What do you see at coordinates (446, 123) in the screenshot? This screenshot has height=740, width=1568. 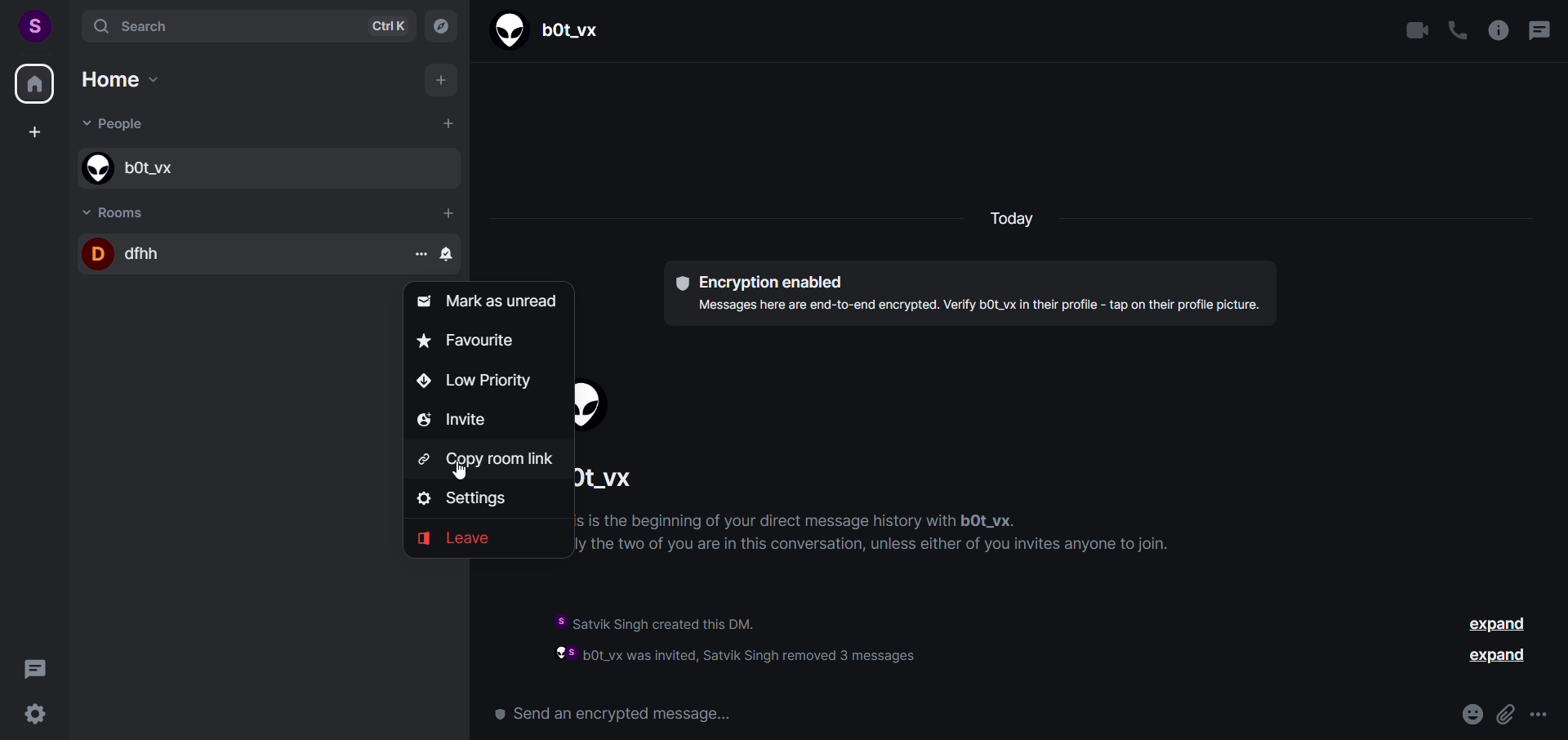 I see `add people` at bounding box center [446, 123].